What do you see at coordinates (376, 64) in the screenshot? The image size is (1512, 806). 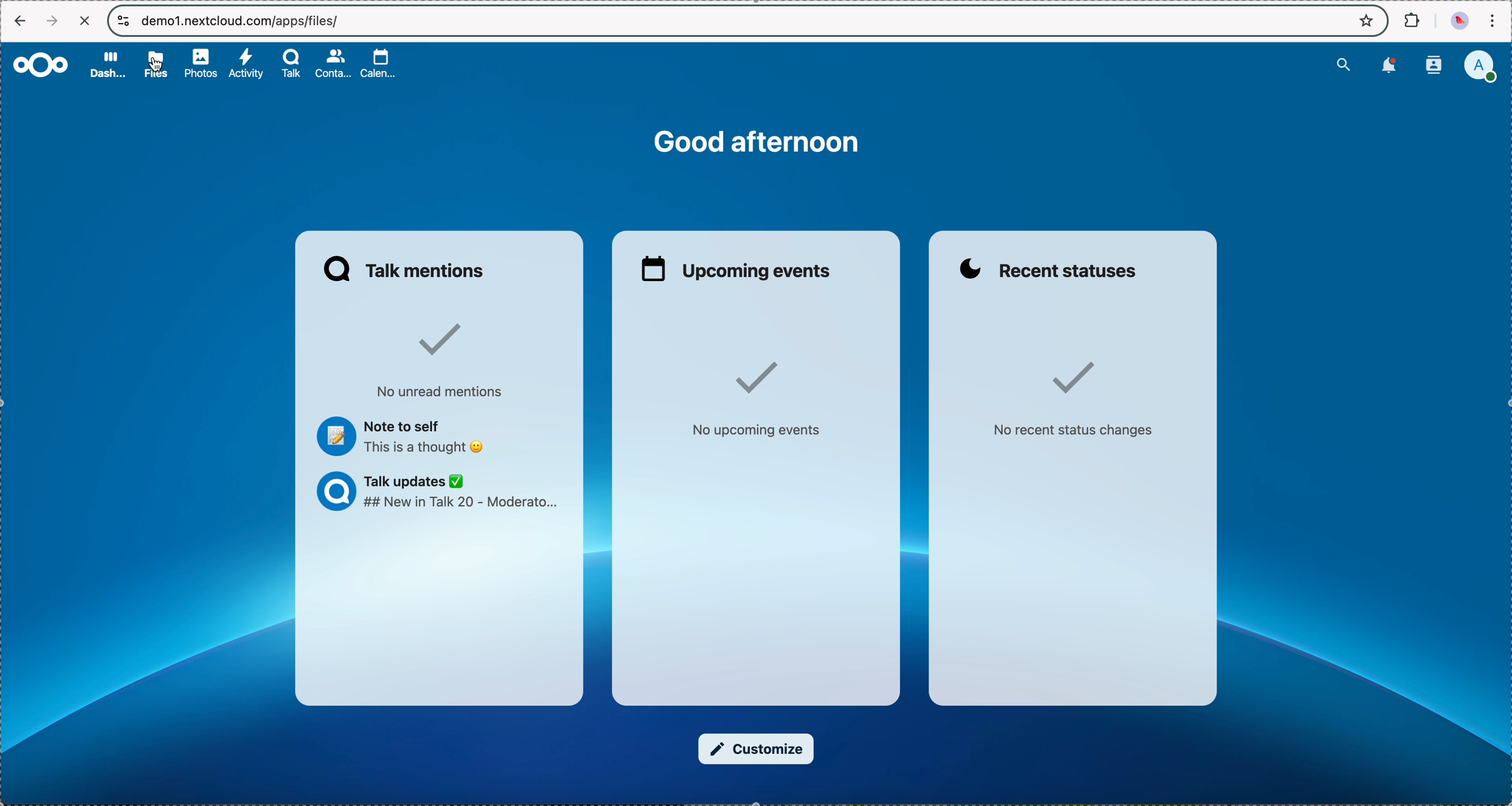 I see `calendar` at bounding box center [376, 64].